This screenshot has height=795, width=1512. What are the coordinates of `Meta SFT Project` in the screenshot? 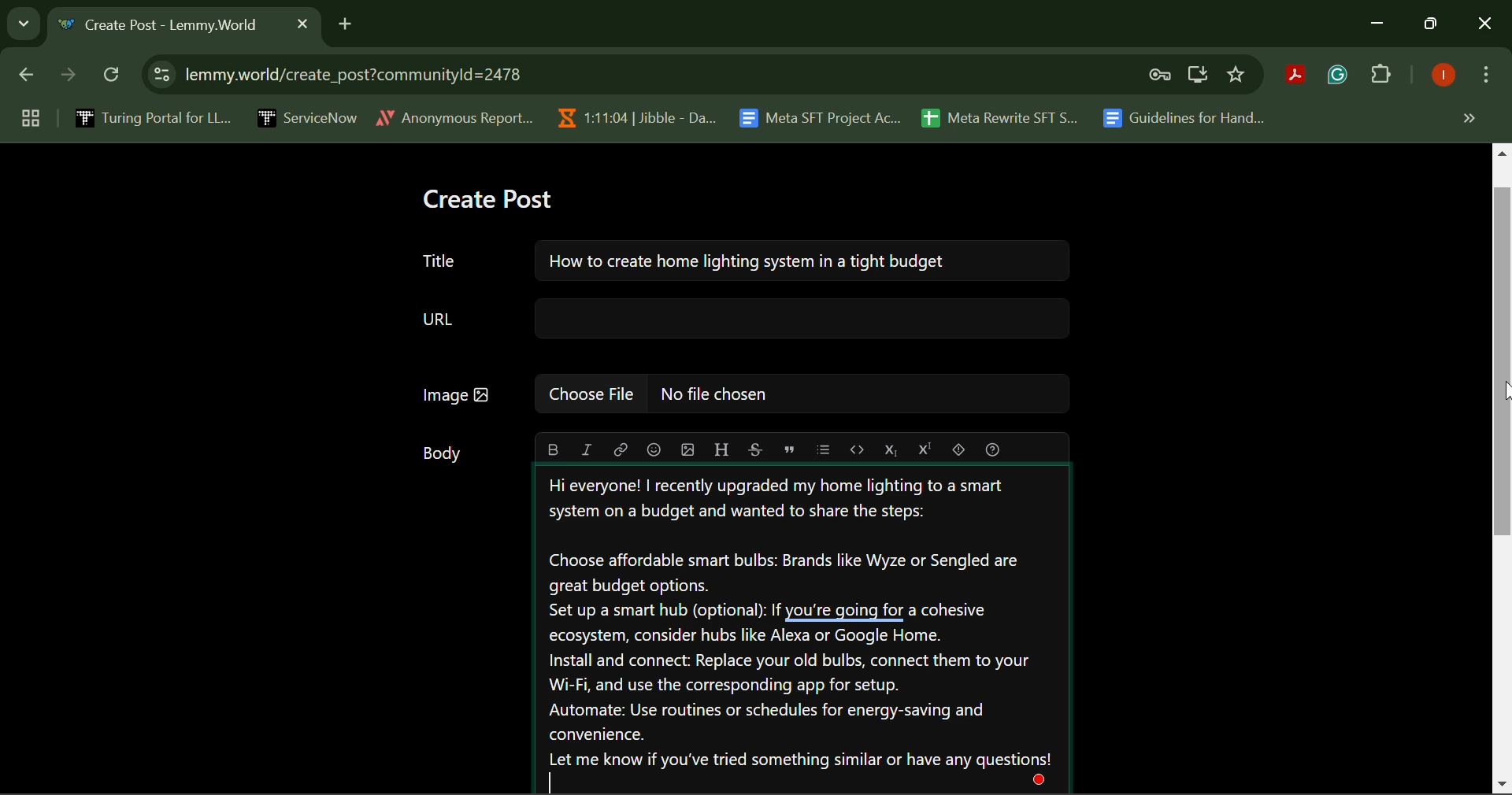 It's located at (822, 116).